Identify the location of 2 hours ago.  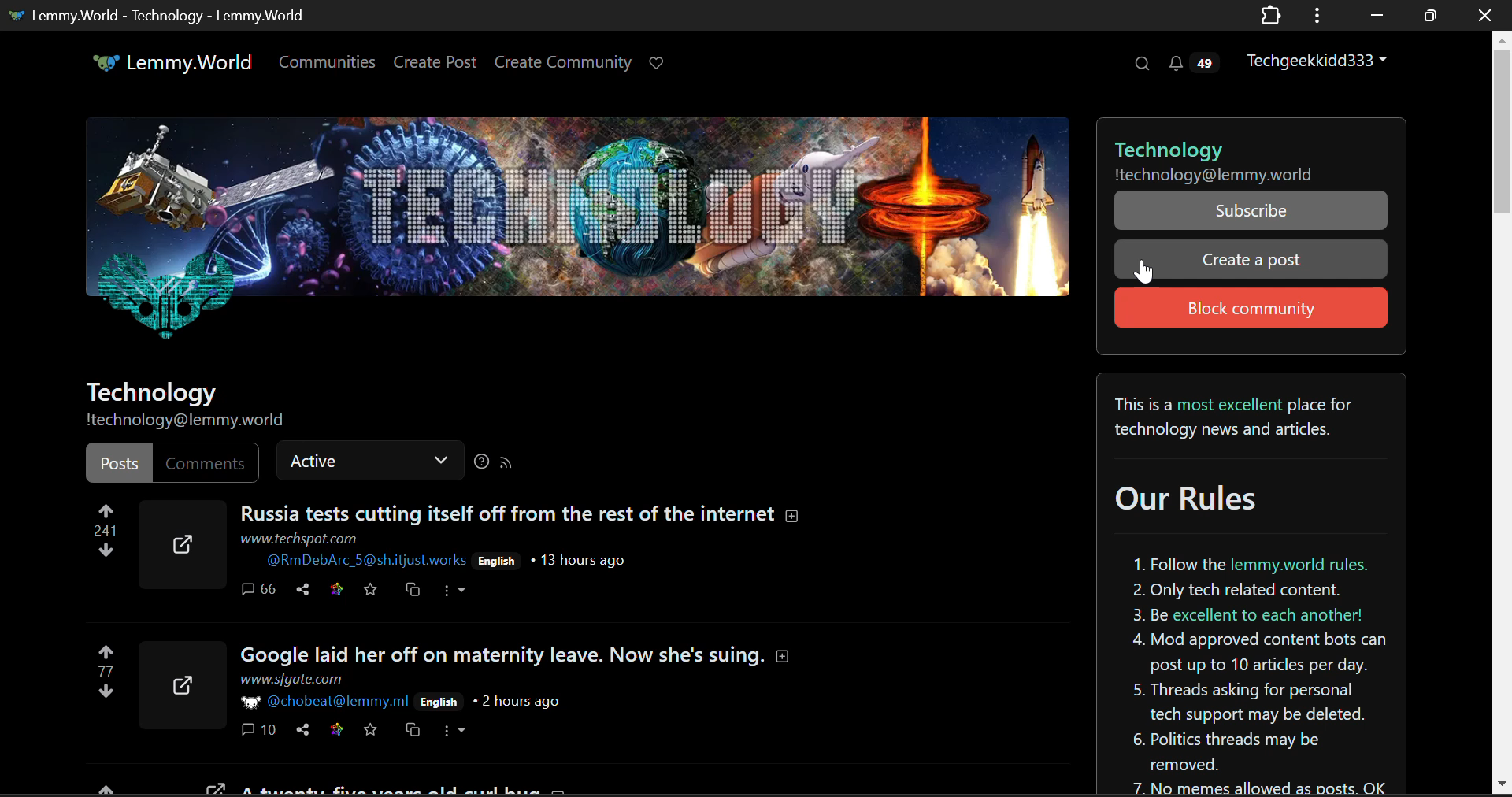
(516, 702).